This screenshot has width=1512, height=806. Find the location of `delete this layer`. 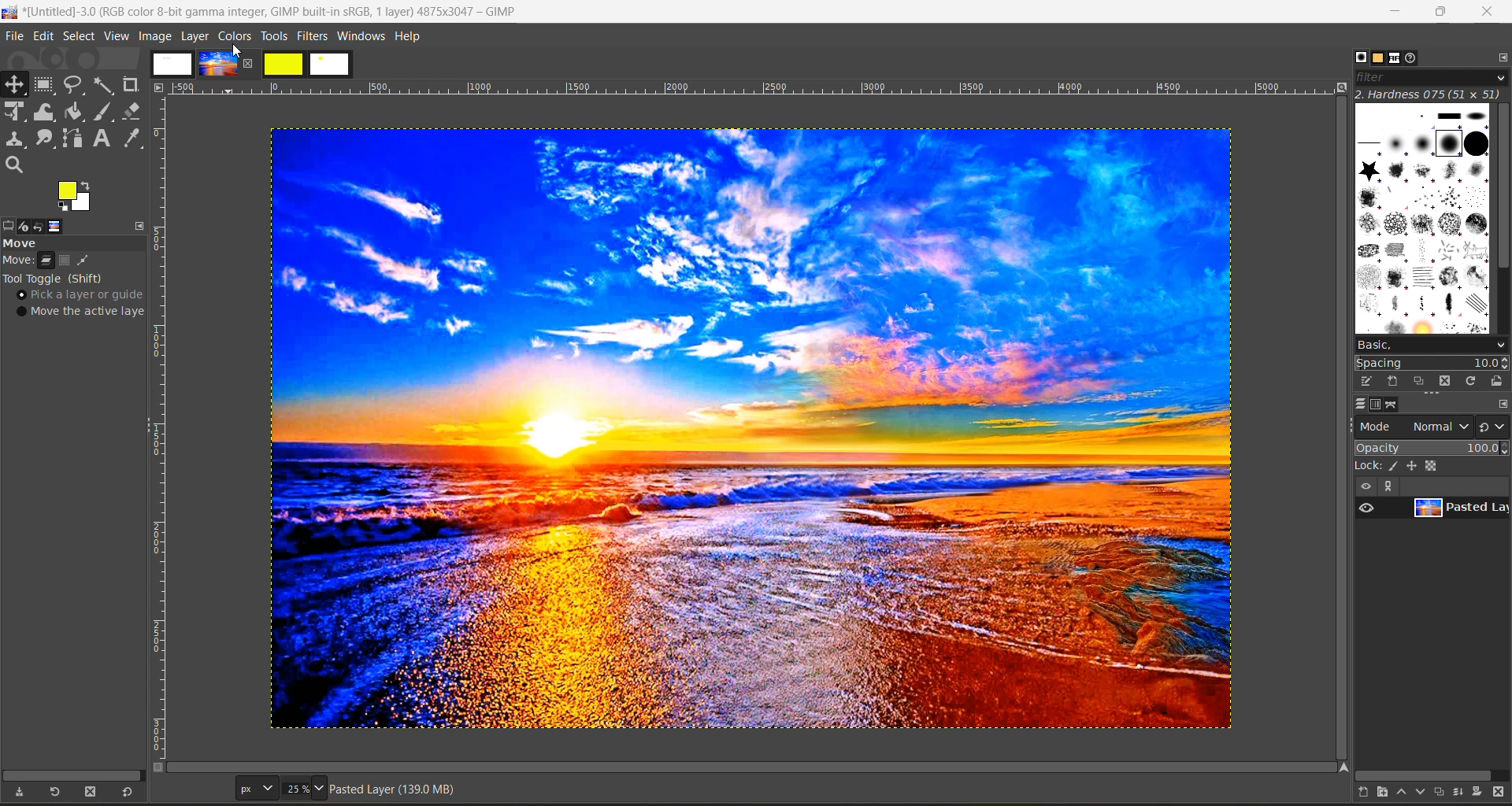

delete this layer is located at coordinates (1503, 793).